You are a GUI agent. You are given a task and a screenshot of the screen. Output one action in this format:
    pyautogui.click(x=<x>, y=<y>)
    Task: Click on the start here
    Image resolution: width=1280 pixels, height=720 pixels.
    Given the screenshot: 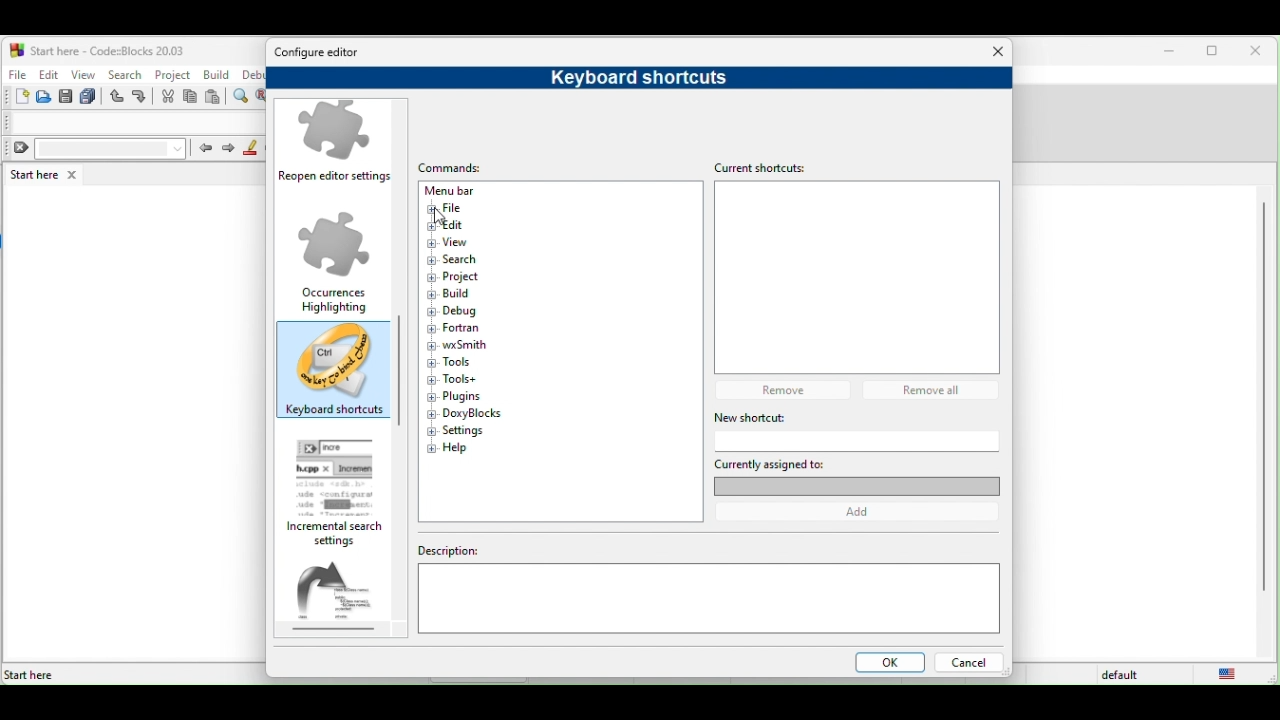 What is the action you would take?
    pyautogui.click(x=47, y=174)
    